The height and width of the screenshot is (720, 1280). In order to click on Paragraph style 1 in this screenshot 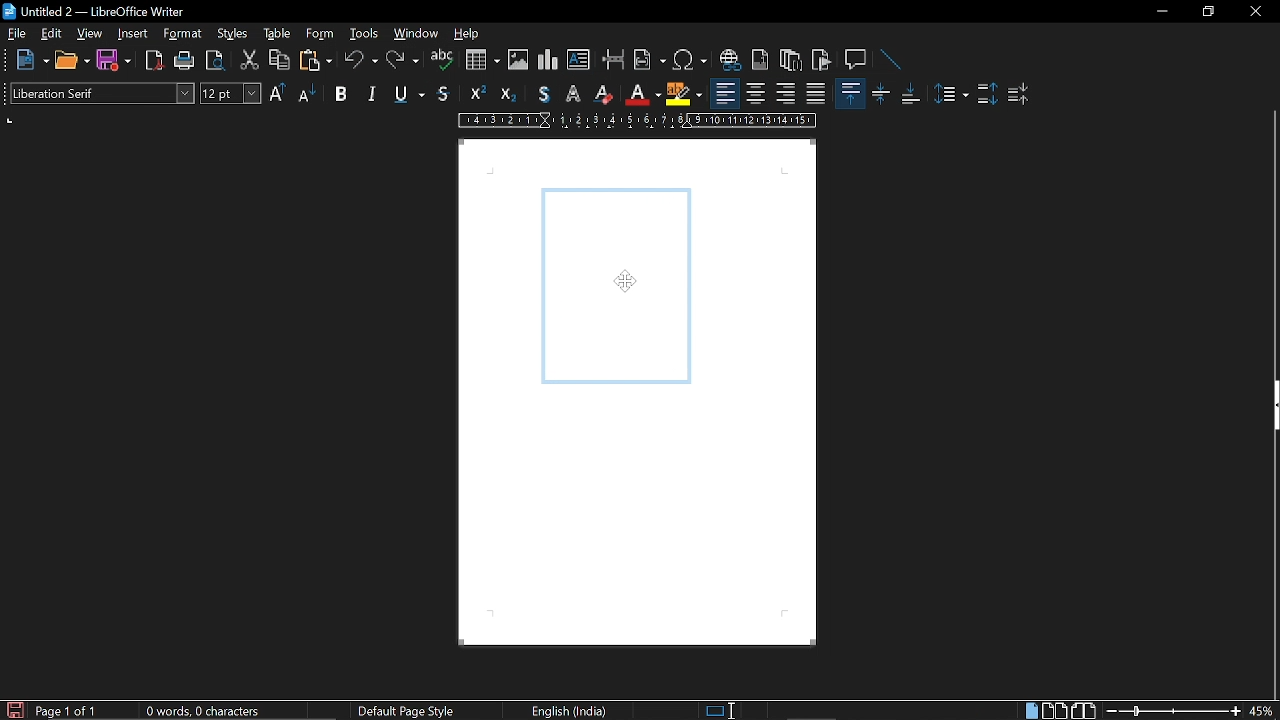, I will do `click(988, 96)`.